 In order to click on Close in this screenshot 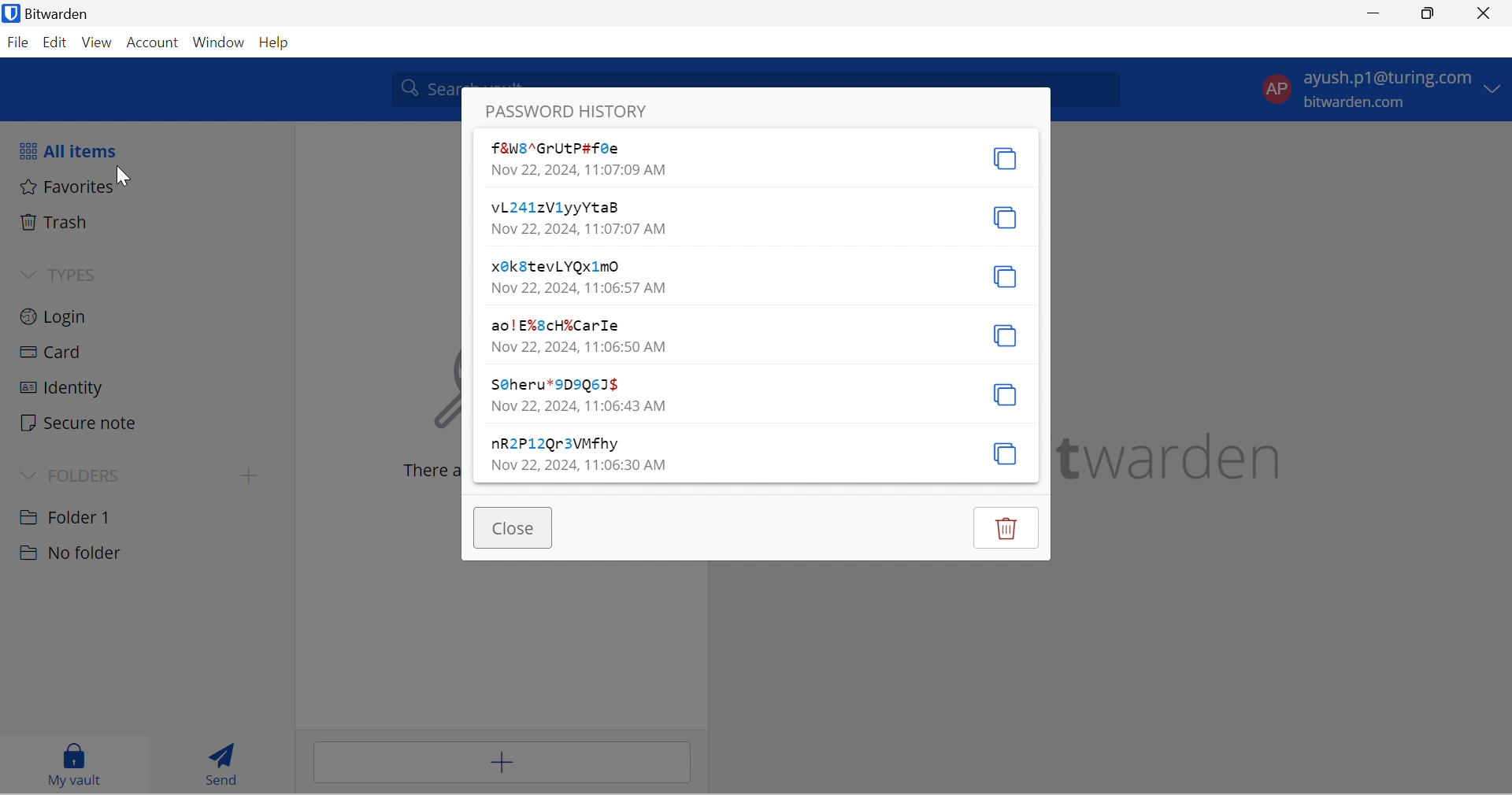, I will do `click(517, 529)`.